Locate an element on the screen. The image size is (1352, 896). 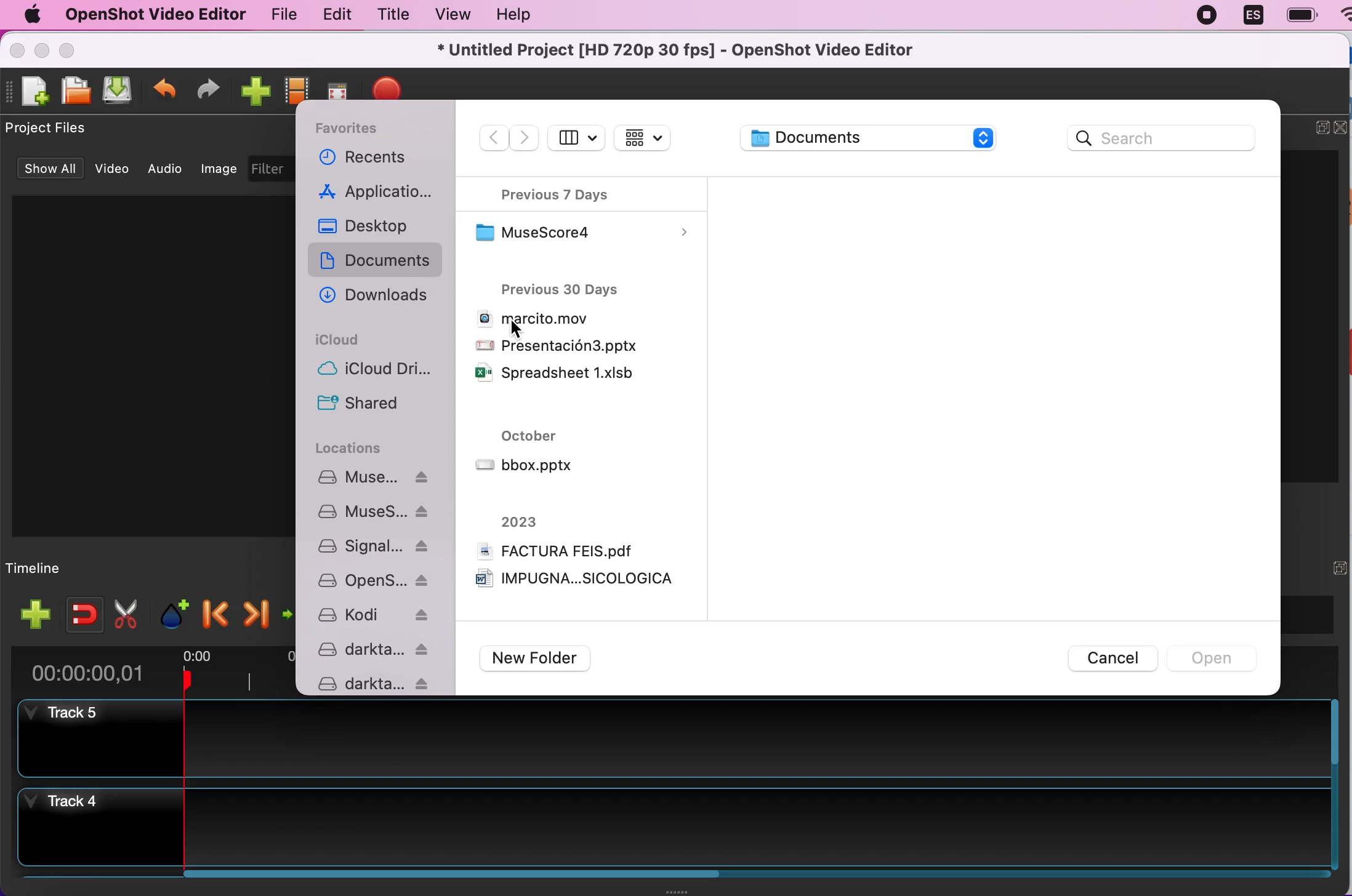
Spreadsheet 1.xIsb is located at coordinates (554, 374).